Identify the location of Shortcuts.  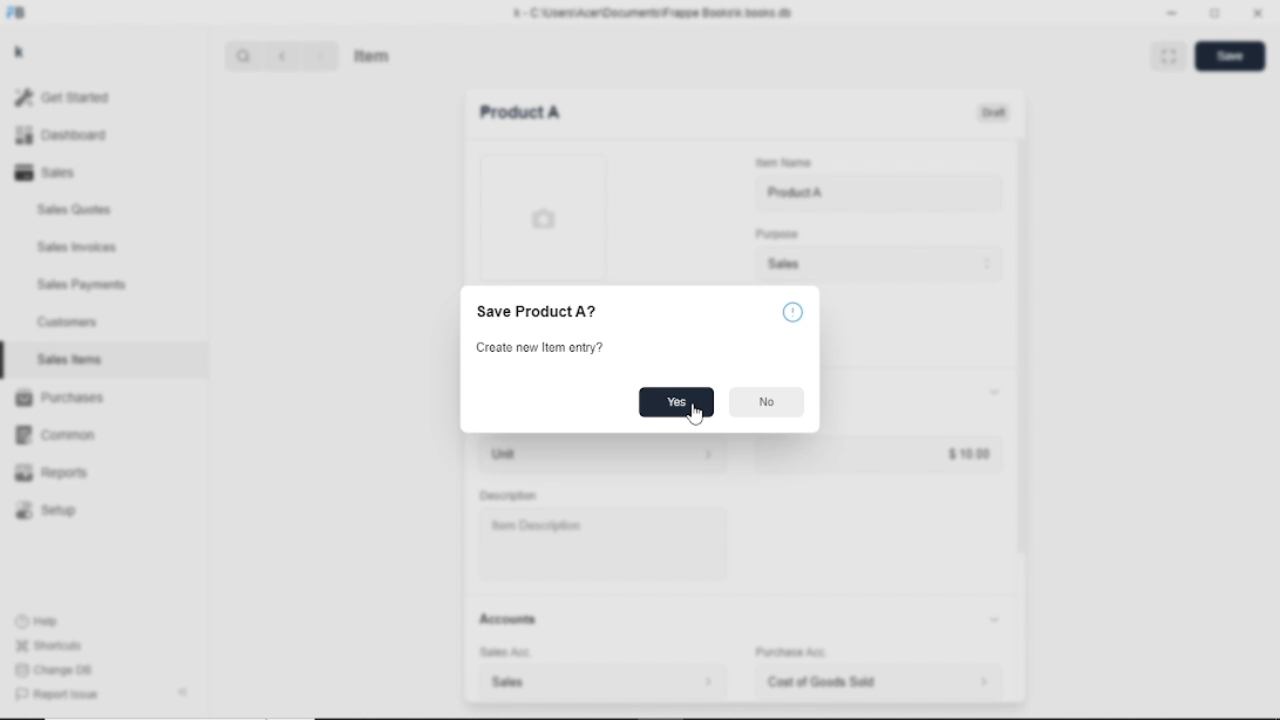
(51, 647).